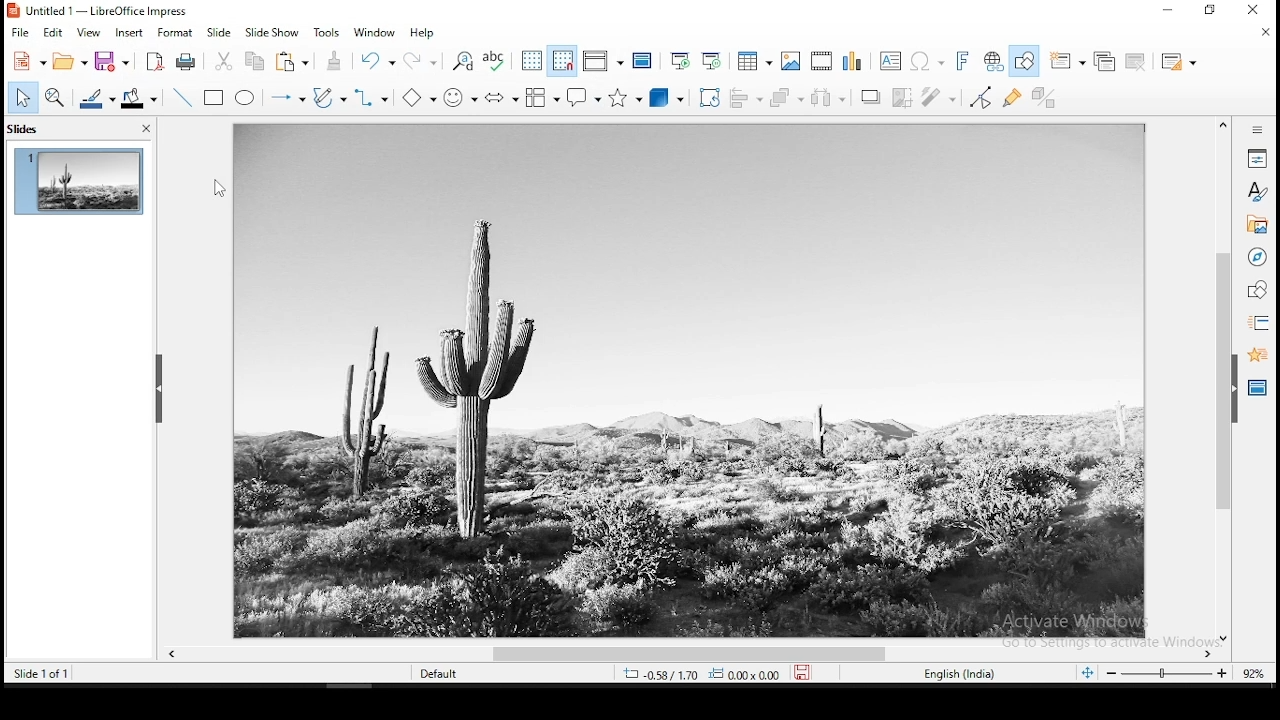 The width and height of the screenshot is (1280, 720). I want to click on format, so click(179, 34).